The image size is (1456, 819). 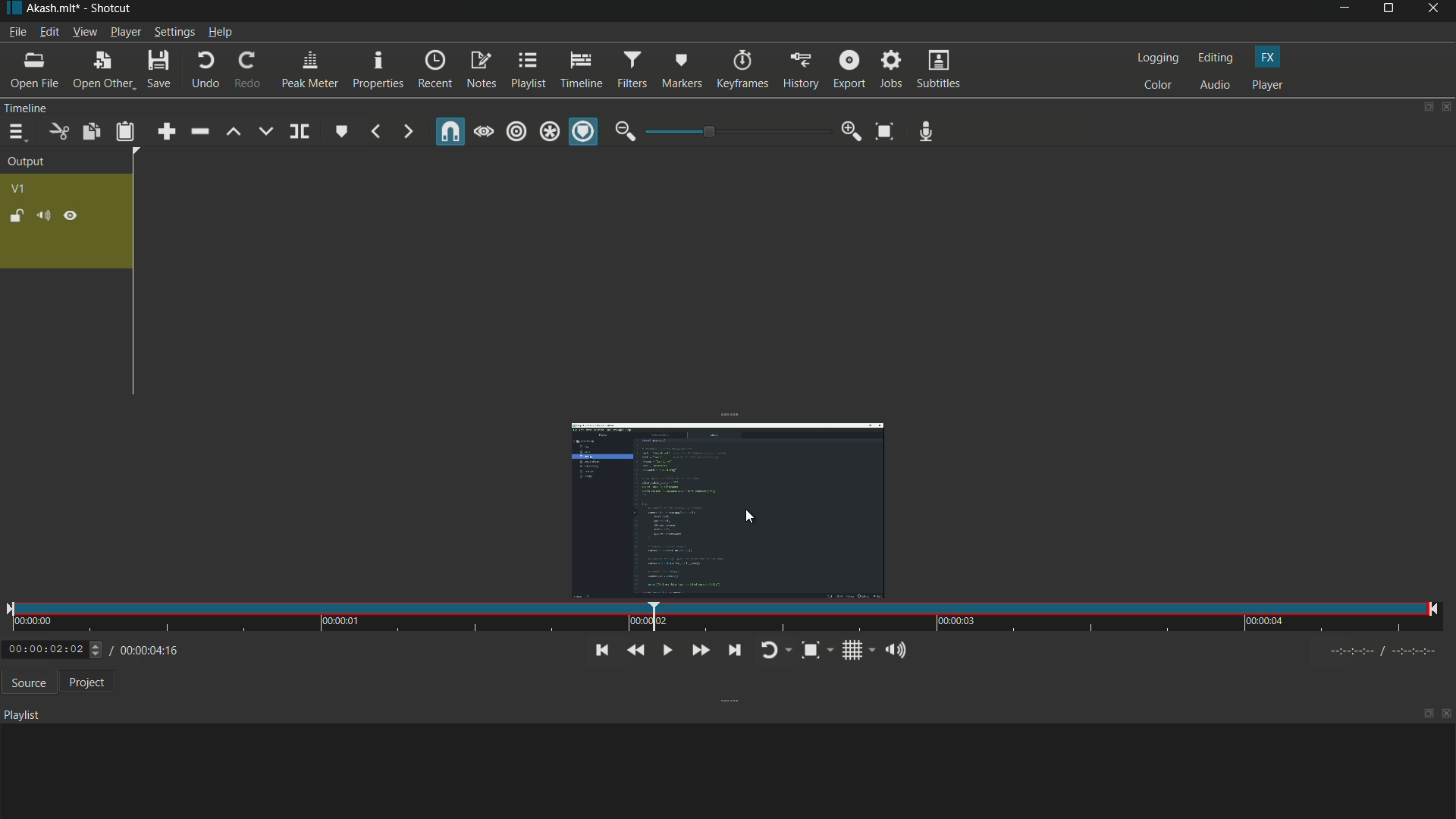 I want to click on close, so click(x=1447, y=716).